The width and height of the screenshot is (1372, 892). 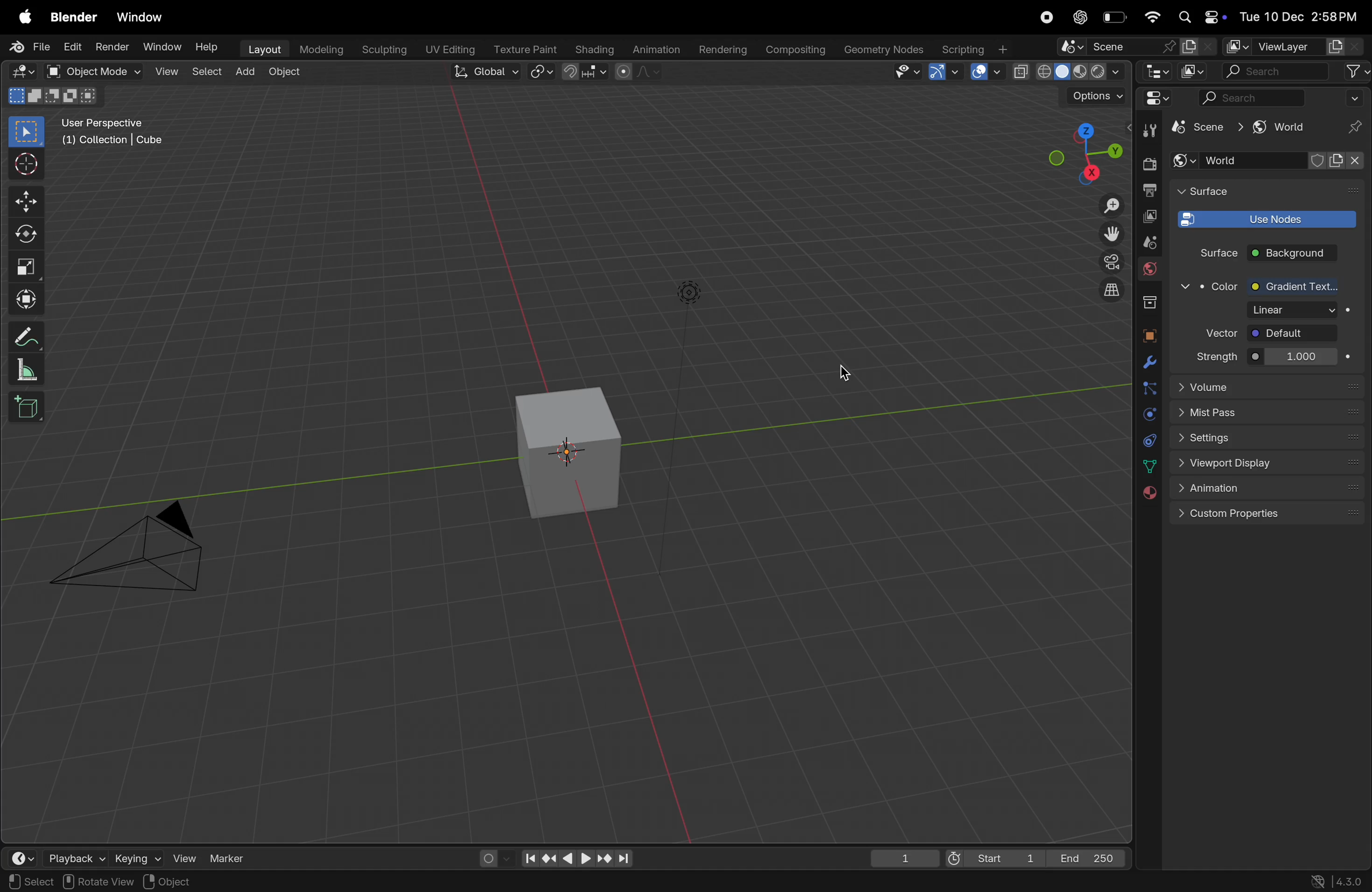 What do you see at coordinates (137, 552) in the screenshot?
I see `camera` at bounding box center [137, 552].